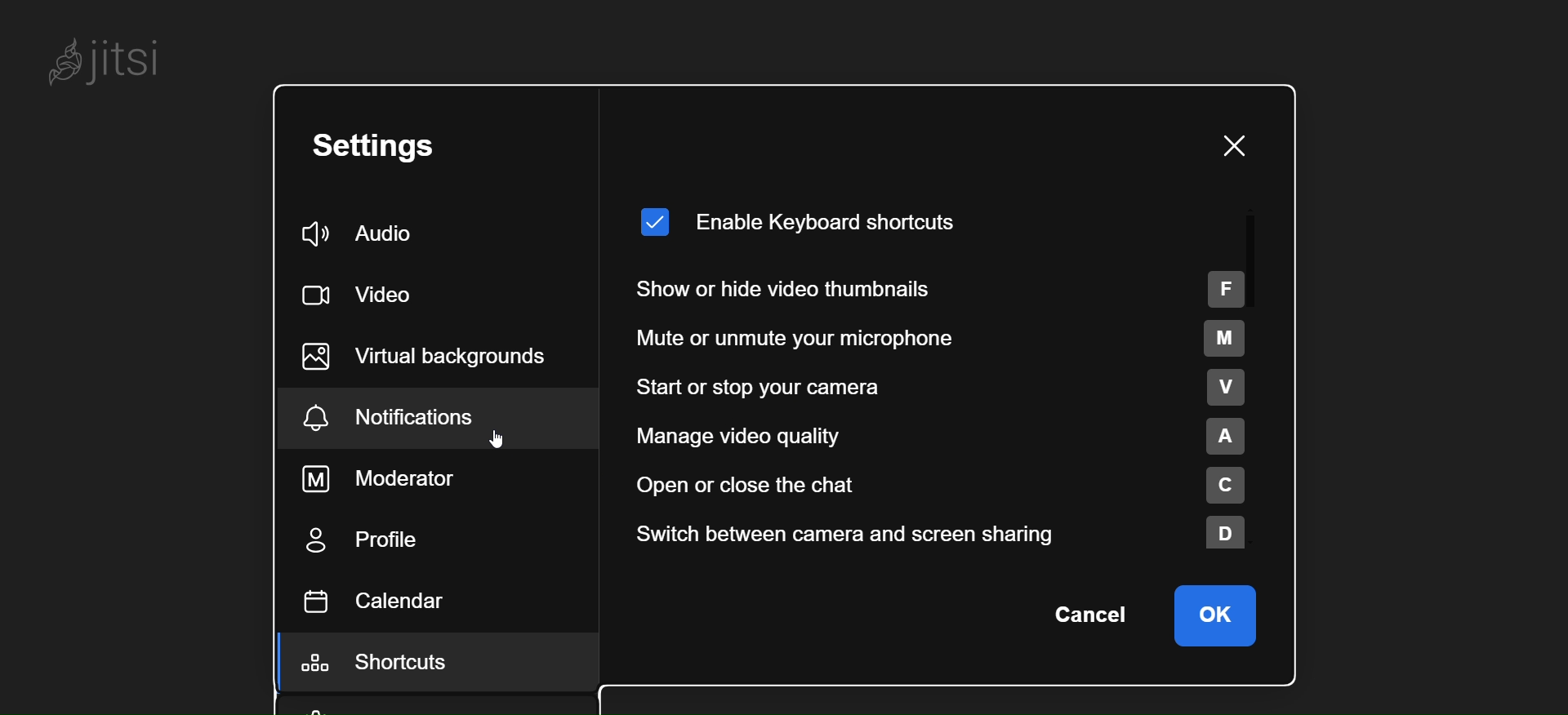 This screenshot has width=1568, height=715. I want to click on open or close chat, so click(942, 484).